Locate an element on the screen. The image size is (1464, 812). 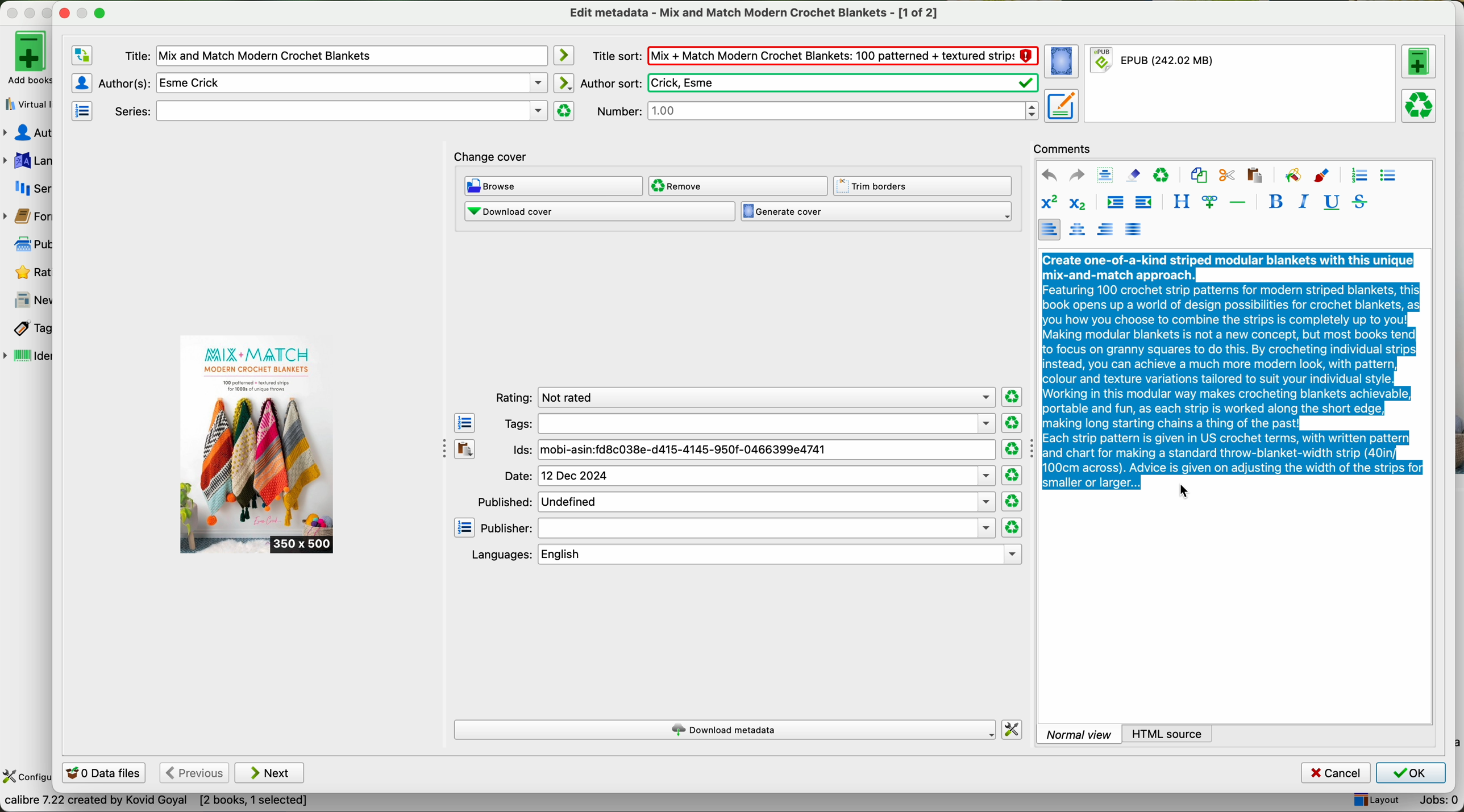
add books is located at coordinates (26, 57).